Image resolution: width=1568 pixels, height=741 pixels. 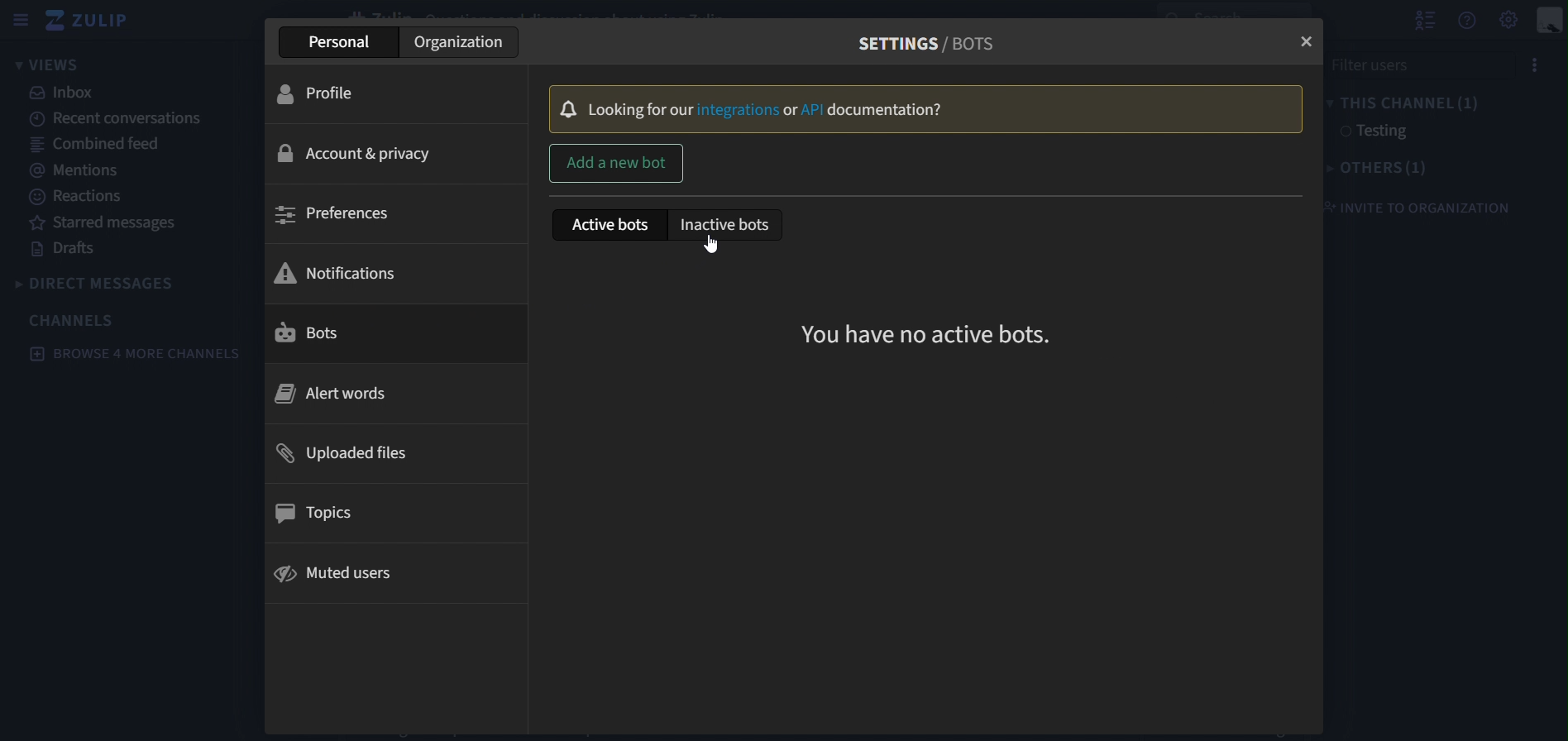 What do you see at coordinates (128, 117) in the screenshot?
I see `recent conversations` at bounding box center [128, 117].